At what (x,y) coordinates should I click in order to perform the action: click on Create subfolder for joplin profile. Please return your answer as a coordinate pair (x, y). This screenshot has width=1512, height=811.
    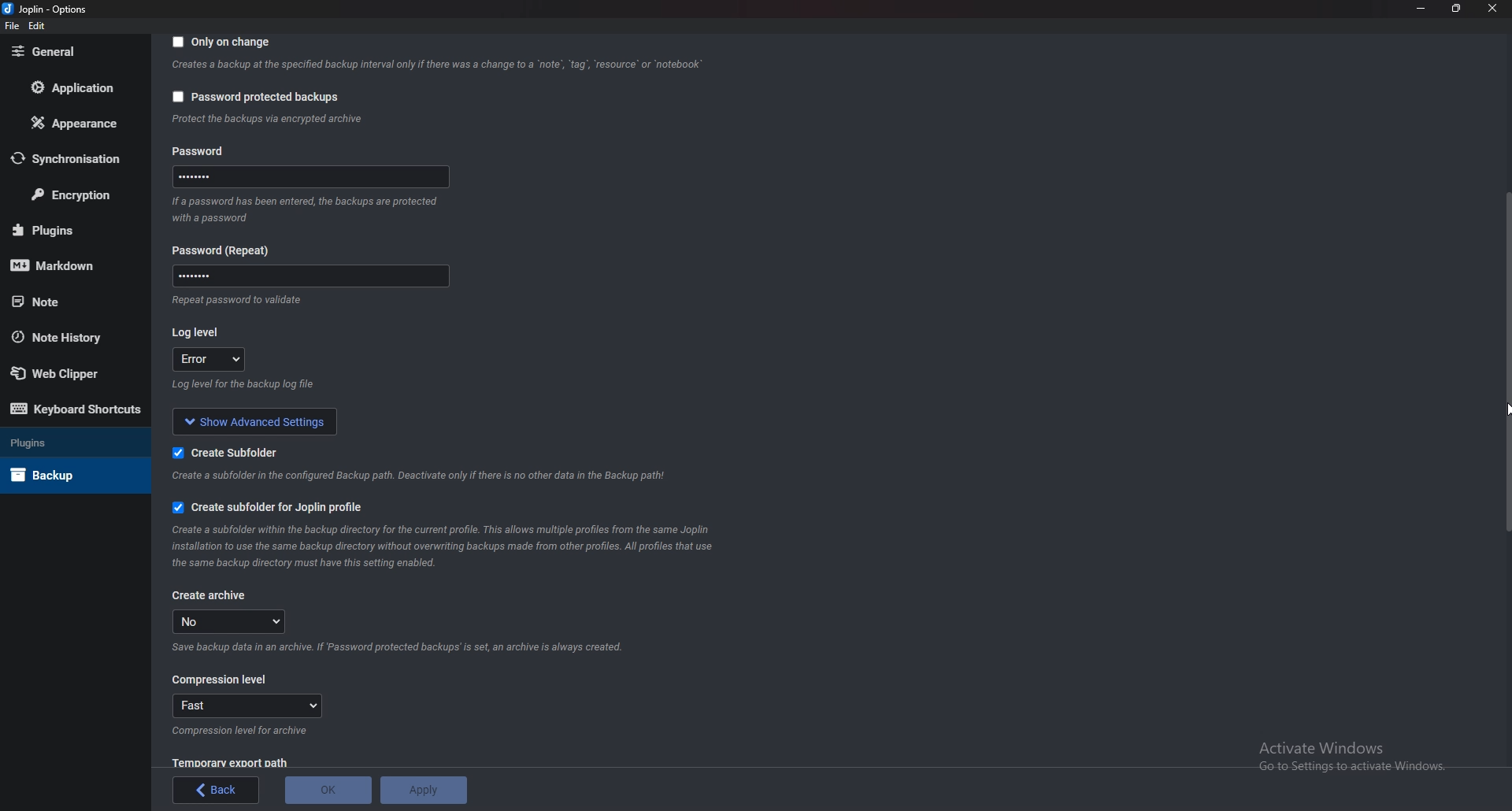
    Looking at the image, I should click on (282, 505).